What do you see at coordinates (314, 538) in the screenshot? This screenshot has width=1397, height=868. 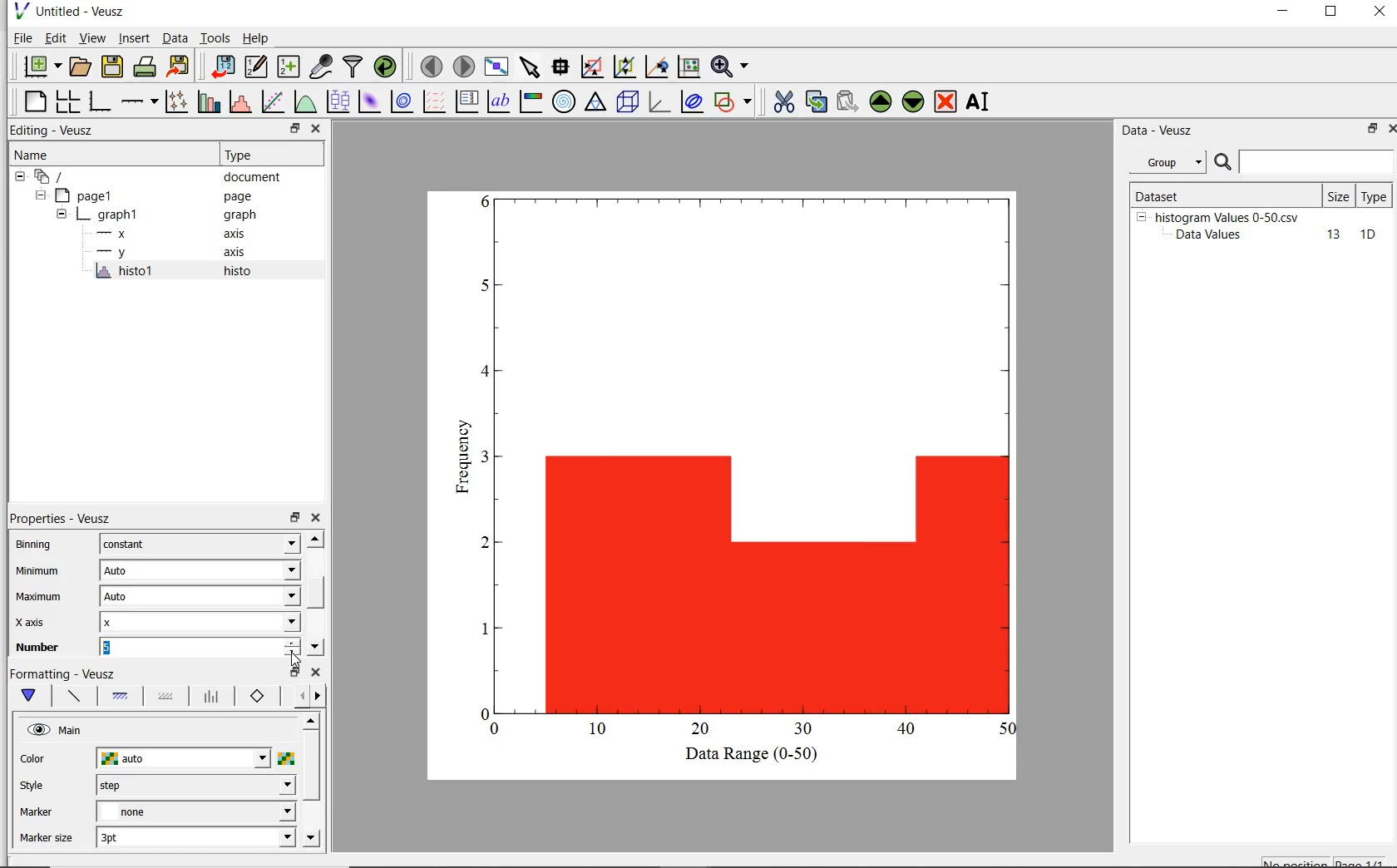 I see `move up` at bounding box center [314, 538].